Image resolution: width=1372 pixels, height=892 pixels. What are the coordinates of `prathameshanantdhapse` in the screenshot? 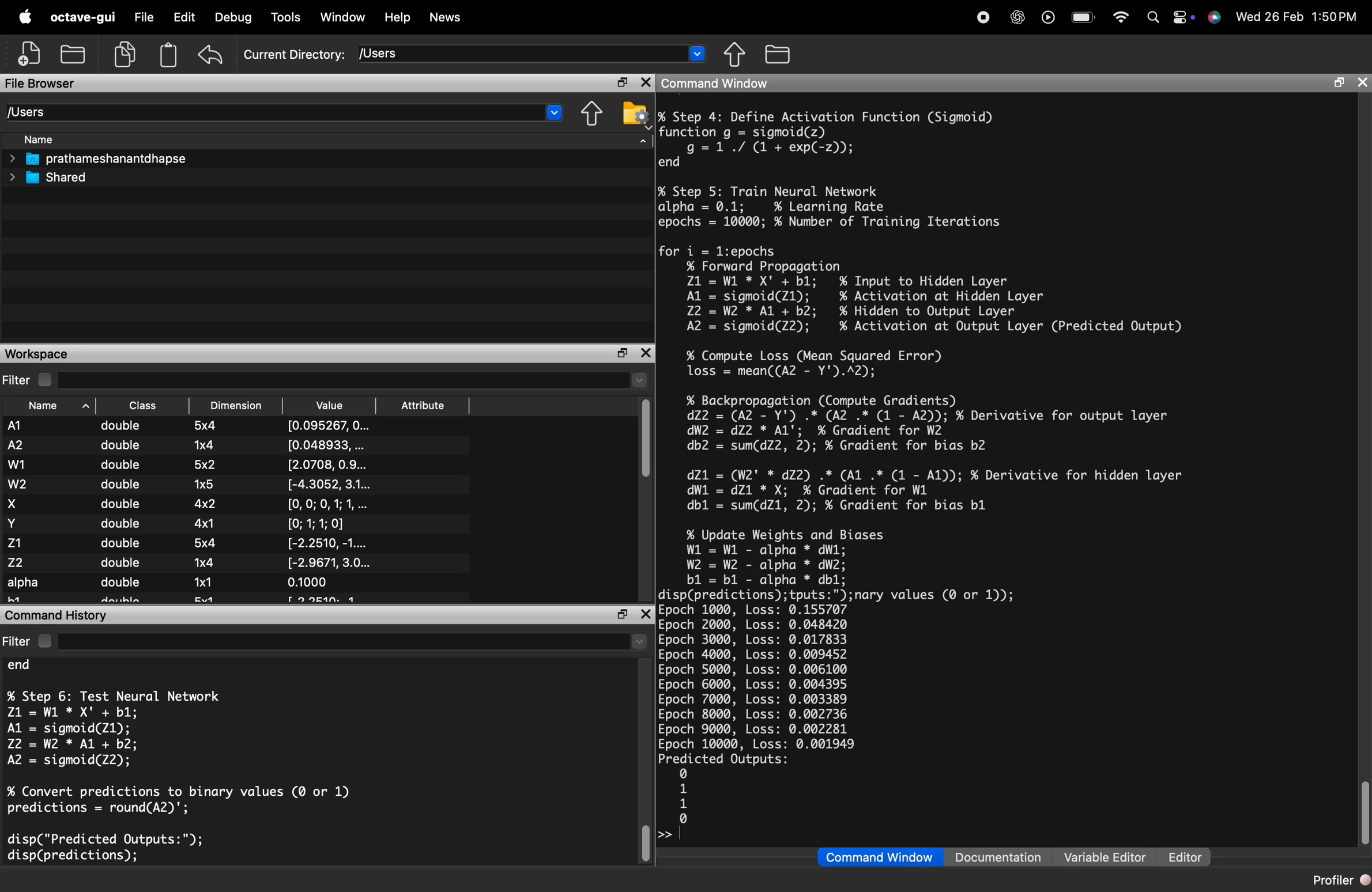 It's located at (97, 159).